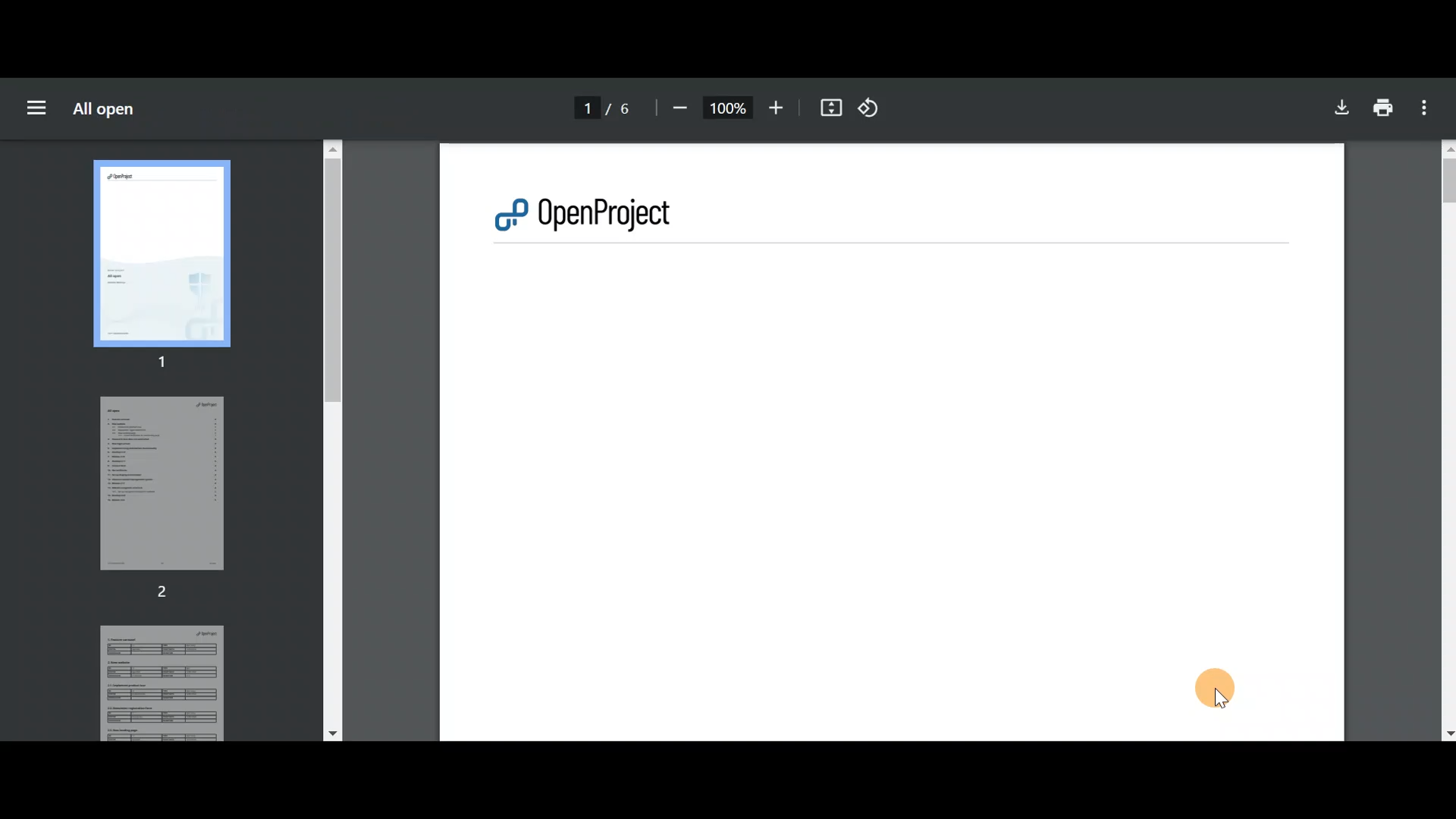  I want to click on 100%, so click(726, 107).